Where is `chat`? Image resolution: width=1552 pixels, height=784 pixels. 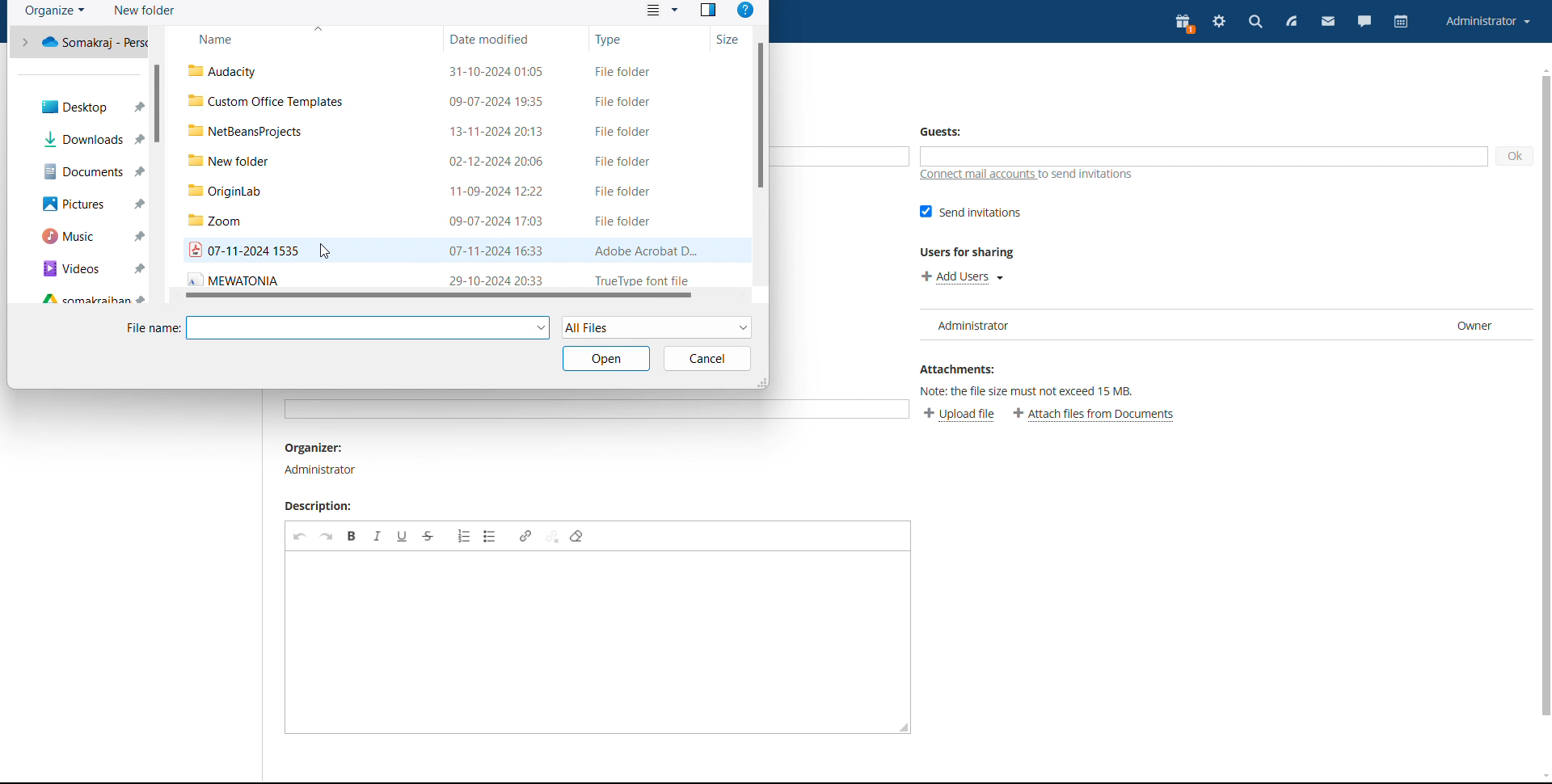 chat is located at coordinates (1365, 23).